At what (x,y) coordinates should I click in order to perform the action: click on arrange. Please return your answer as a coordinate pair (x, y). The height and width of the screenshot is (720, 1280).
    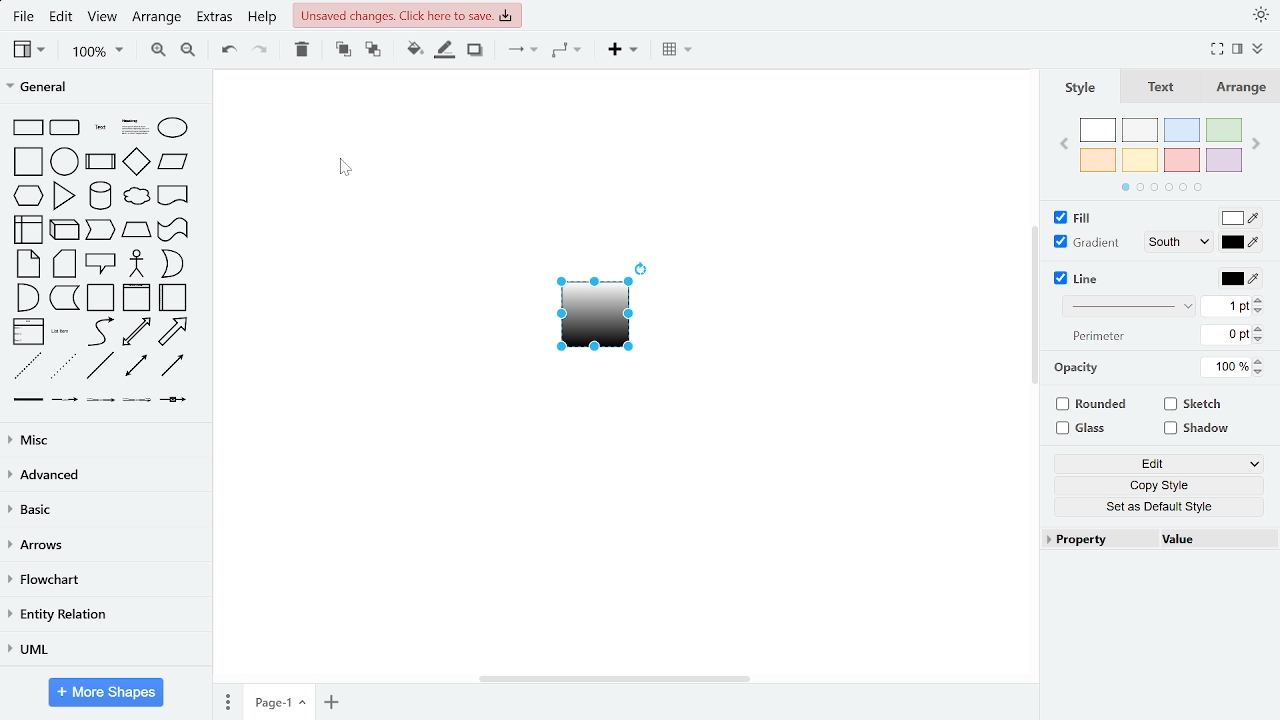
    Looking at the image, I should click on (158, 17).